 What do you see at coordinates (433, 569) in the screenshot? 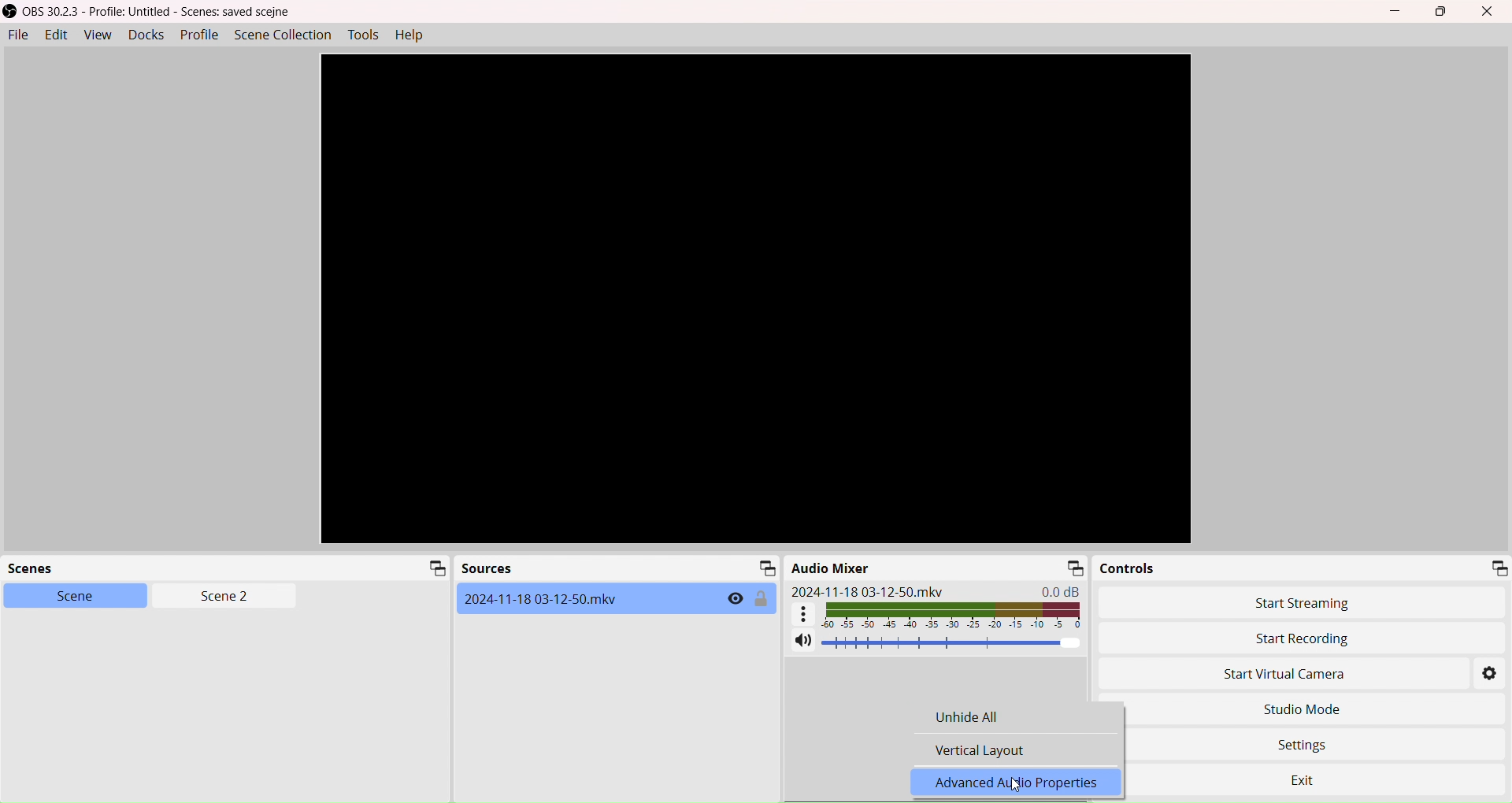
I see `Expand` at bounding box center [433, 569].